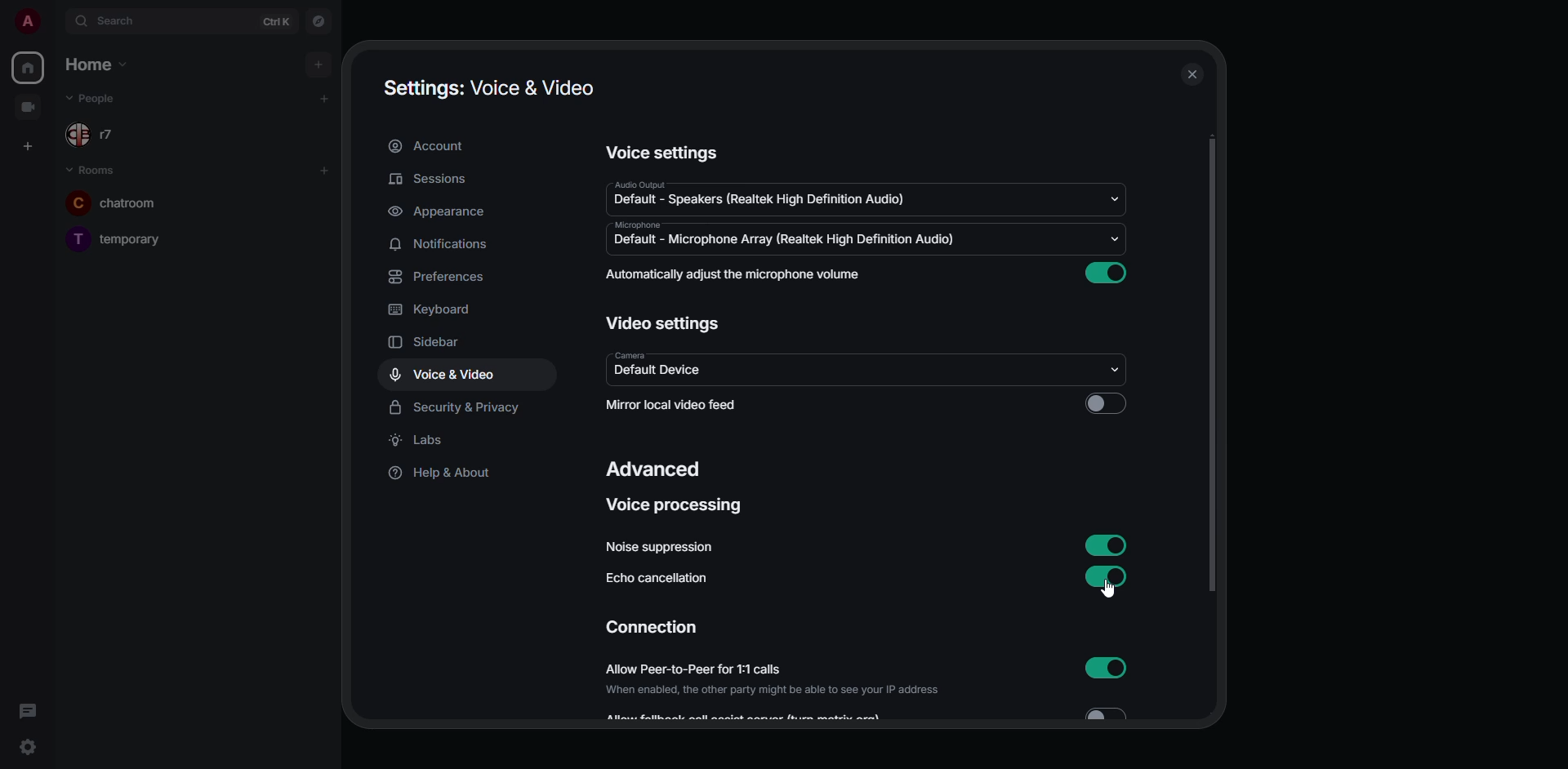  I want to click on click to enable, so click(1104, 403).